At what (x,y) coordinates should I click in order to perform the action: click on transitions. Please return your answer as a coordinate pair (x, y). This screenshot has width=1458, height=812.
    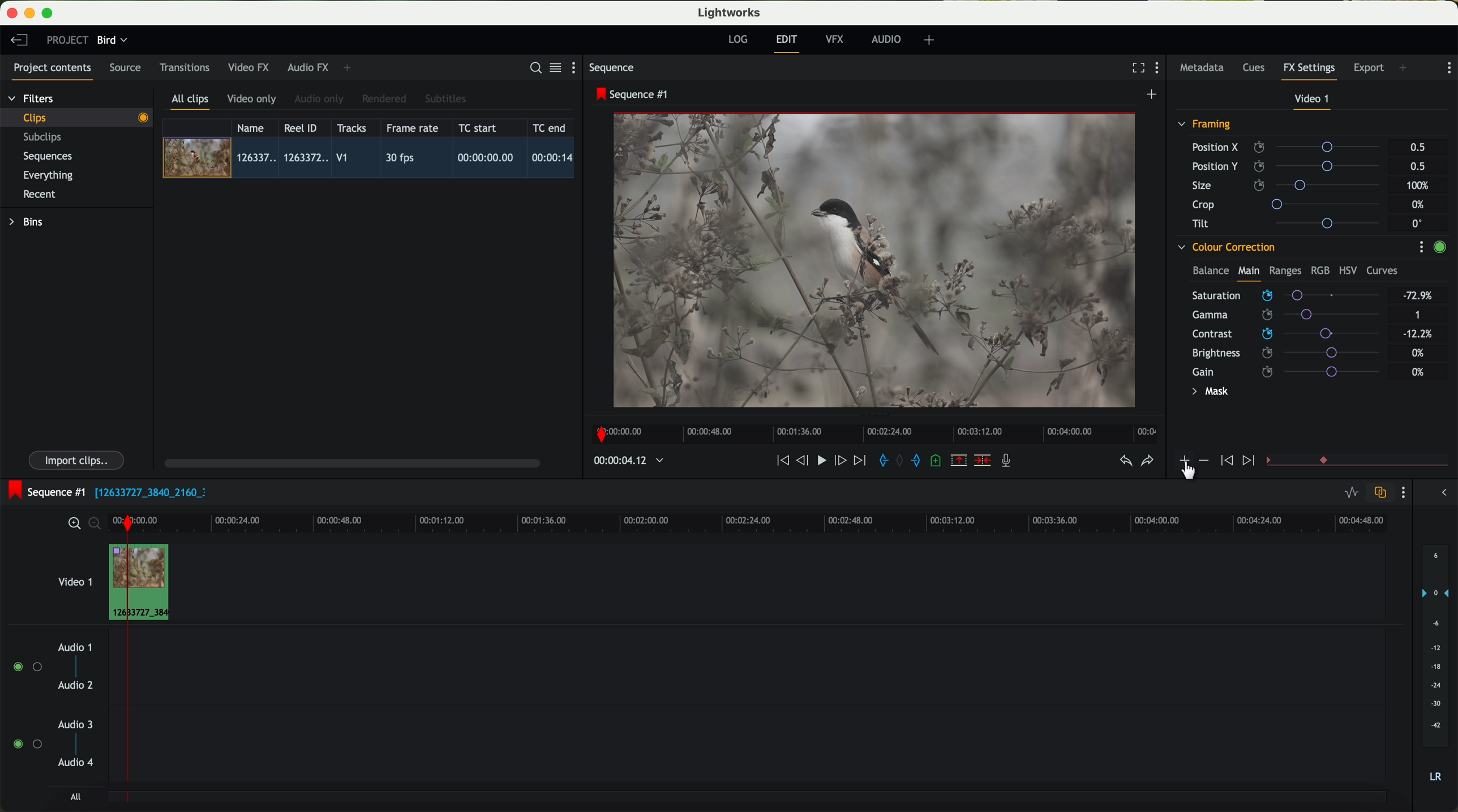
    Looking at the image, I should click on (184, 67).